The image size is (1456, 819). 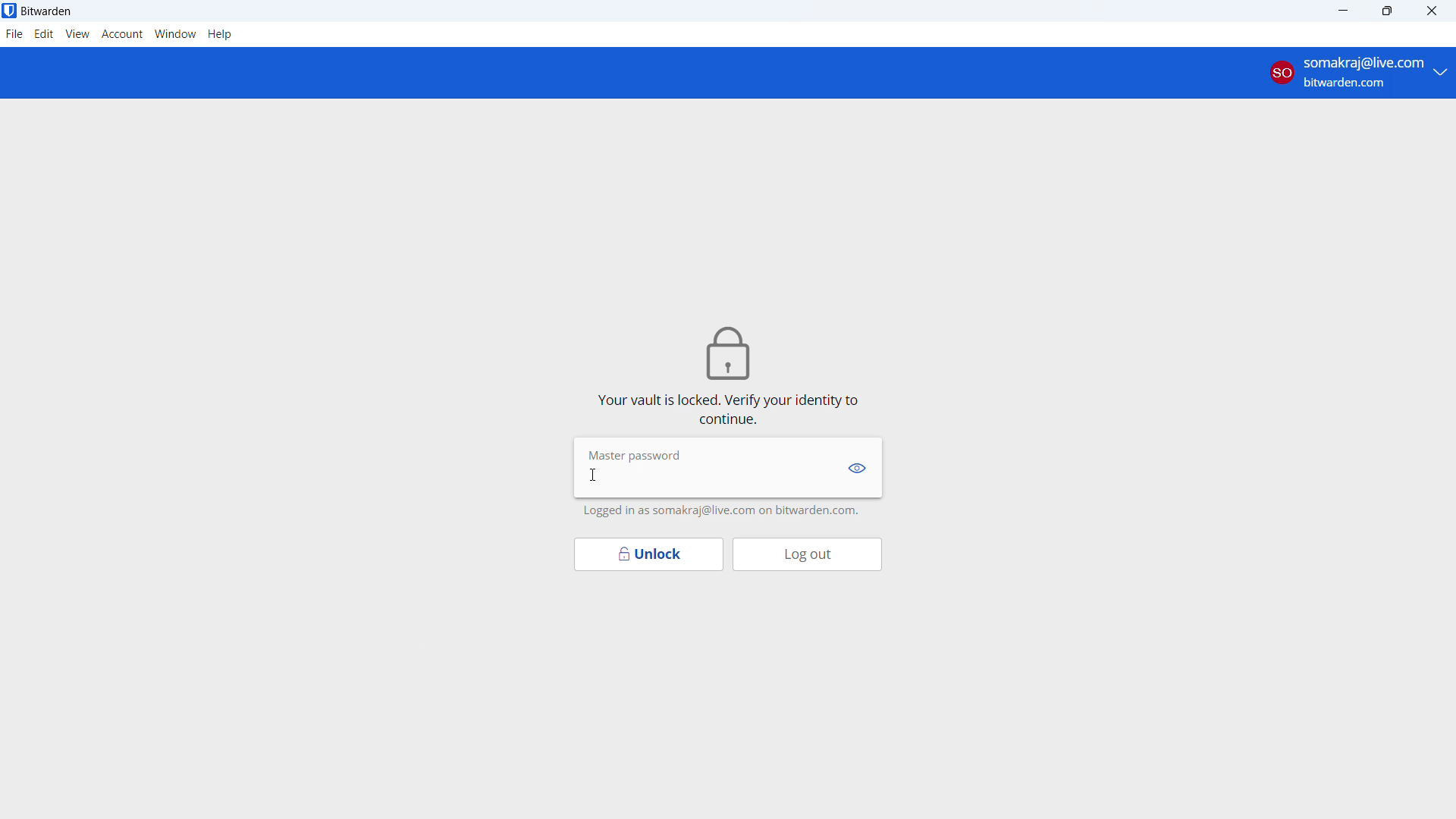 I want to click on account, so click(x=121, y=34).